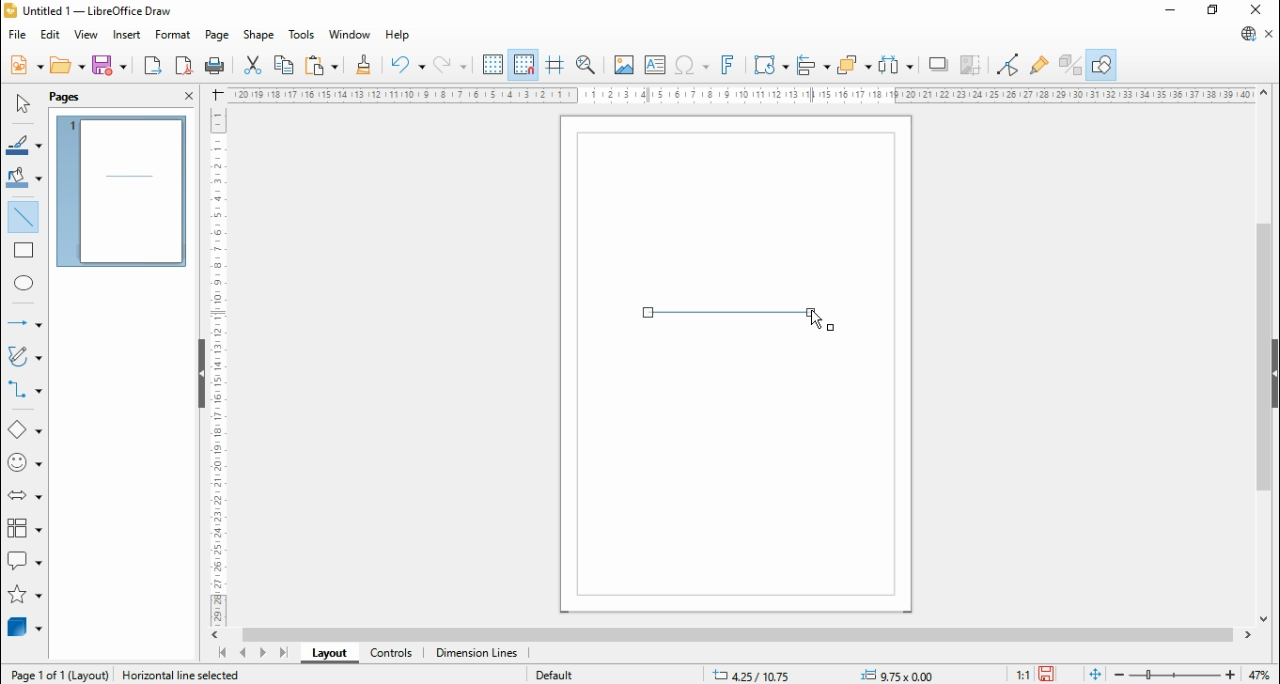 The height and width of the screenshot is (684, 1280). Describe the element at coordinates (242, 653) in the screenshot. I see `previous page` at that location.